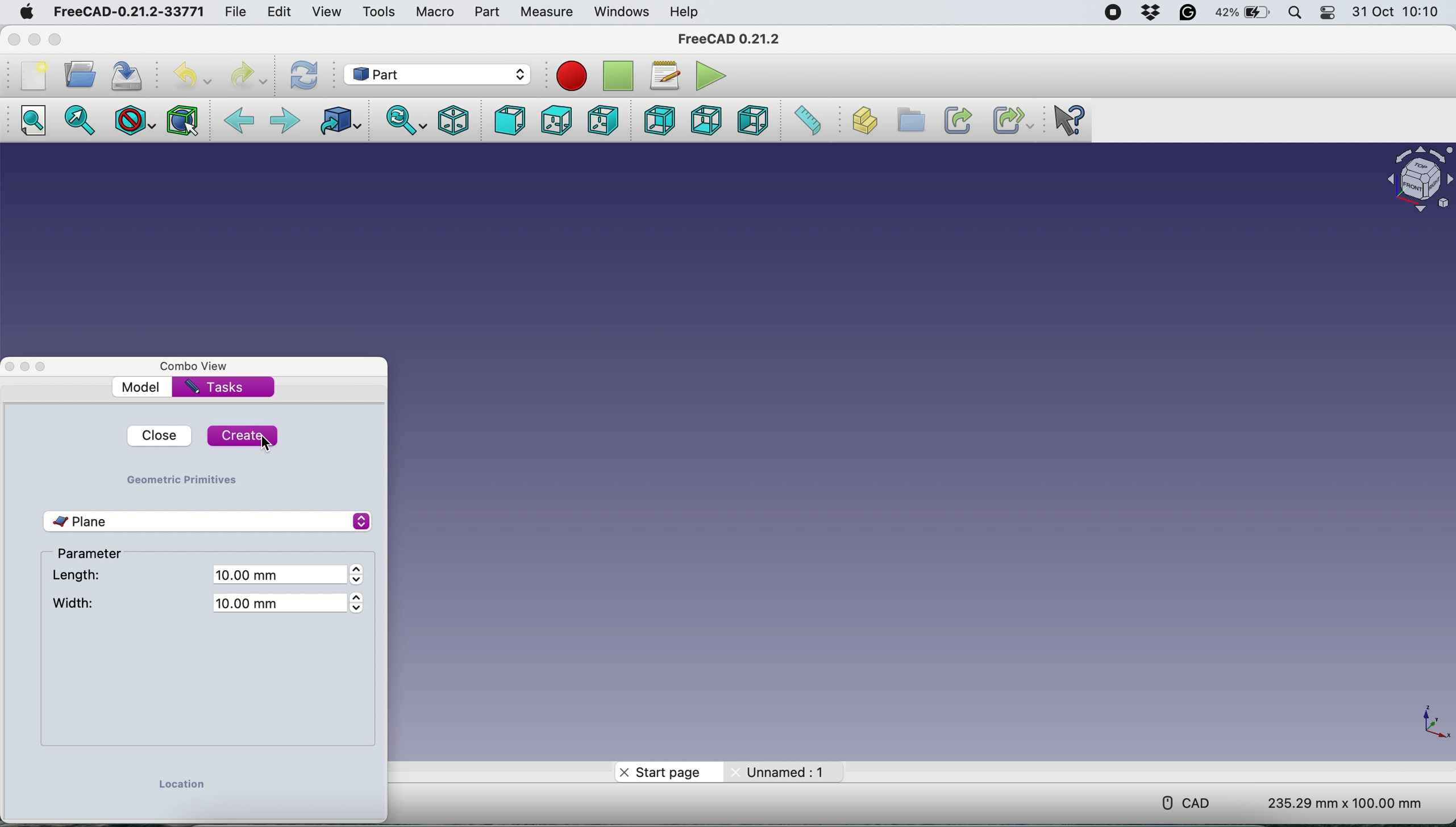 Image resolution: width=1456 pixels, height=827 pixels. What do you see at coordinates (10, 365) in the screenshot?
I see `Close` at bounding box center [10, 365].